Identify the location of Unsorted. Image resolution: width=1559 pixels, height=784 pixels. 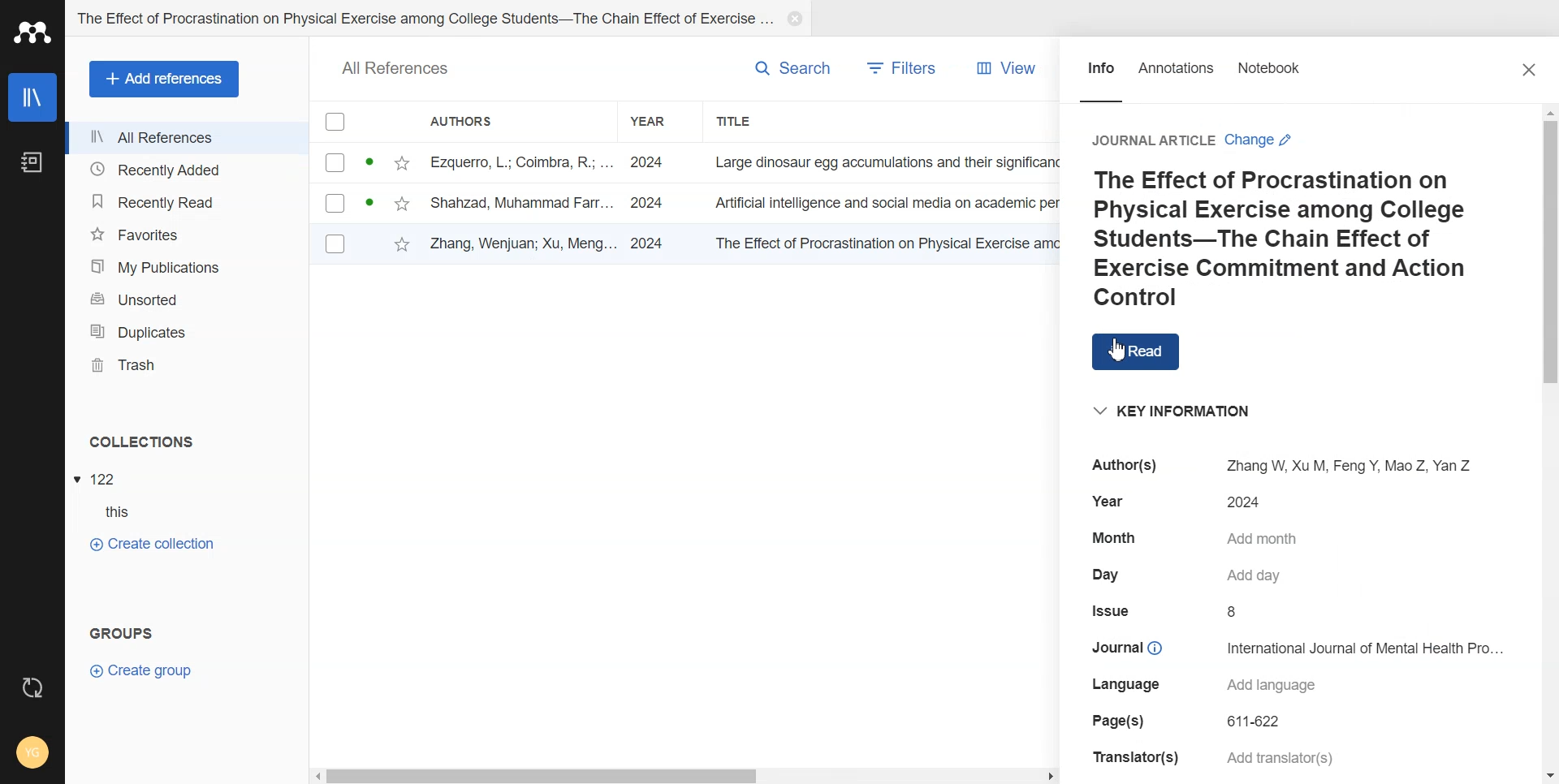
(191, 299).